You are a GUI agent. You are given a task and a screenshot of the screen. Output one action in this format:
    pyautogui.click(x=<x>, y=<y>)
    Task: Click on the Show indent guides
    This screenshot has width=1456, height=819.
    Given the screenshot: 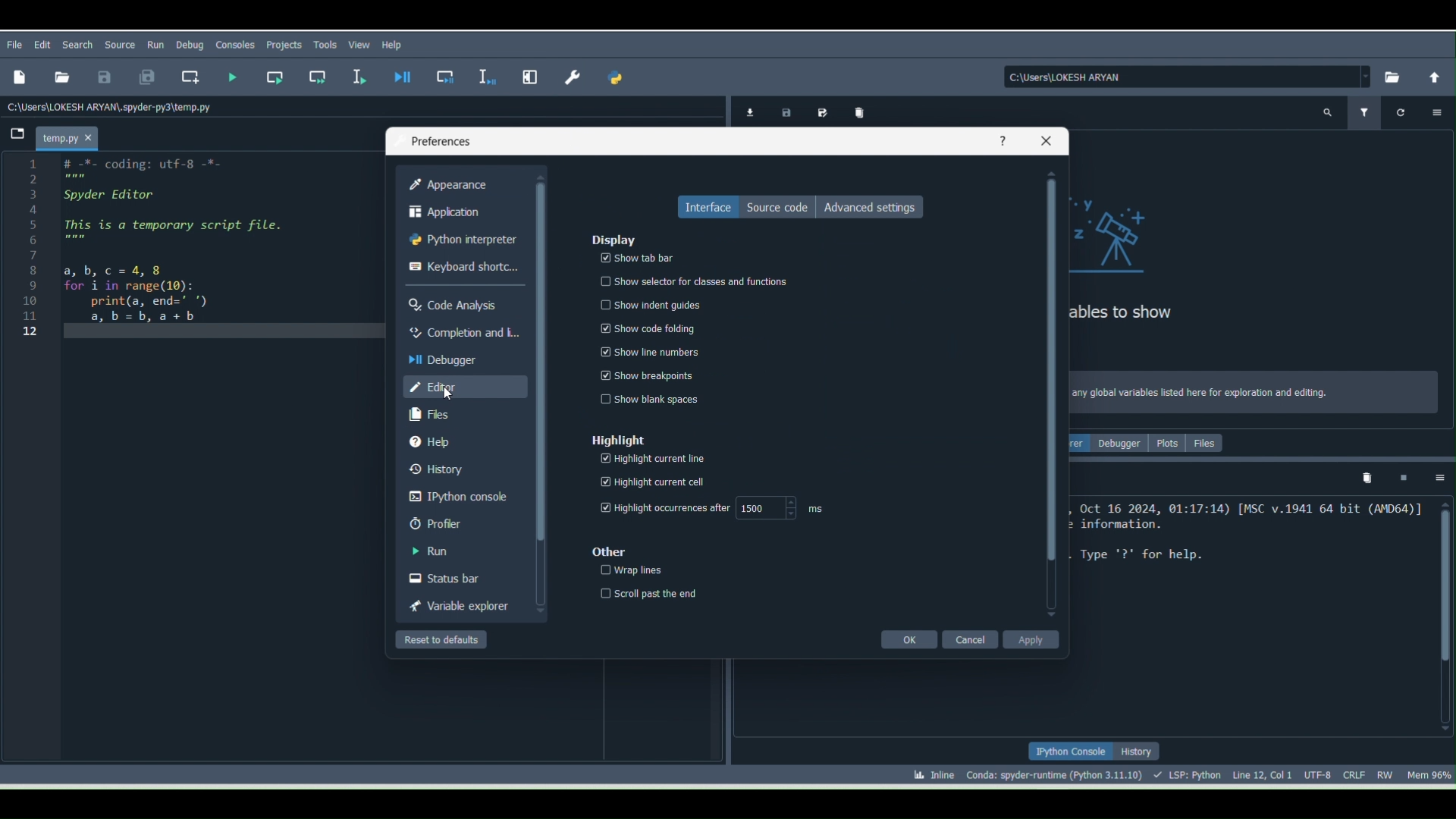 What is the action you would take?
    pyautogui.click(x=642, y=303)
    